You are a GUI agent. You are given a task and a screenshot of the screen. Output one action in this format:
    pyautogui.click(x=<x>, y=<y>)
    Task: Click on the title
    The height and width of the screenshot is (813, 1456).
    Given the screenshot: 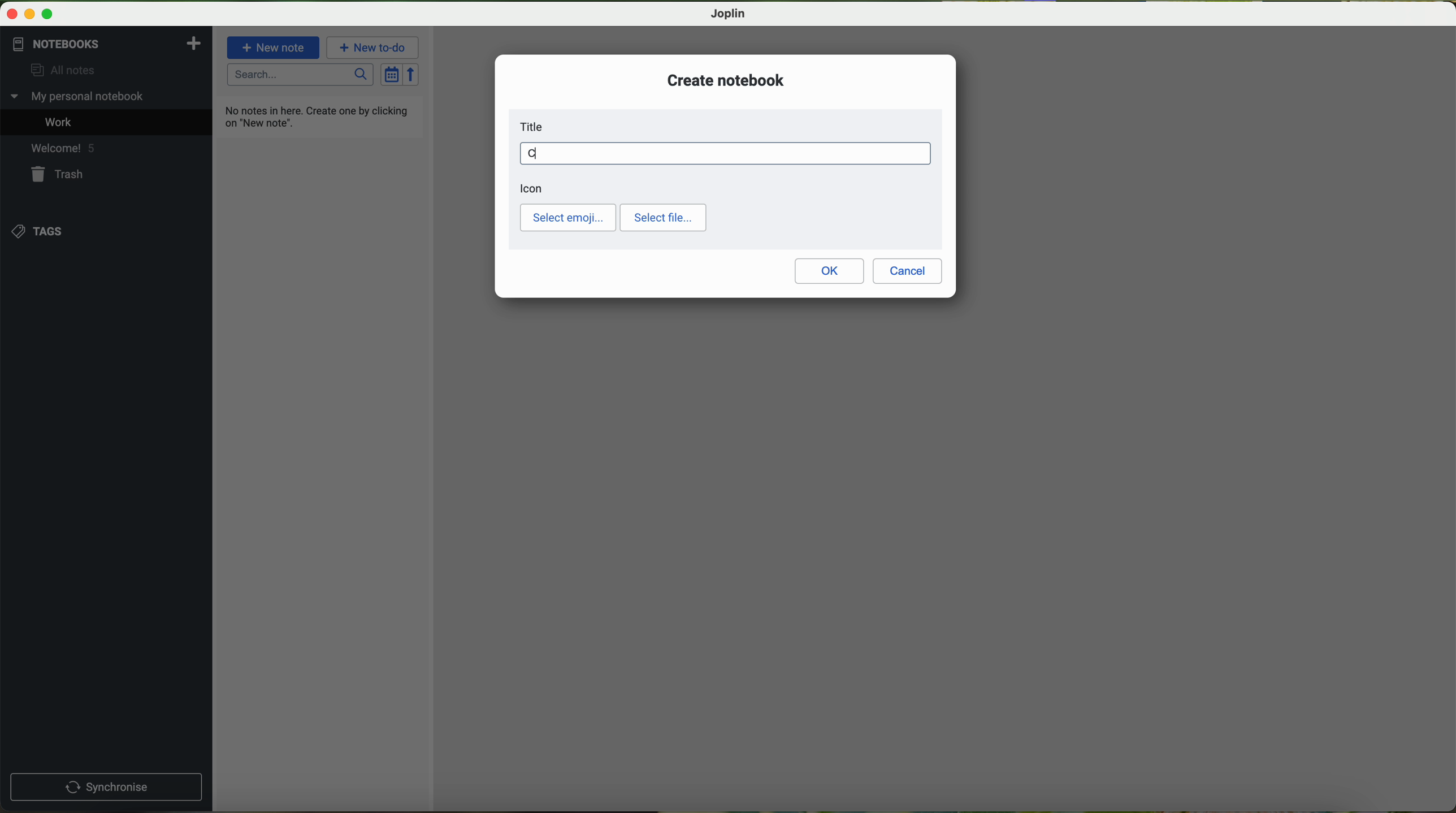 What is the action you would take?
    pyautogui.click(x=535, y=127)
    